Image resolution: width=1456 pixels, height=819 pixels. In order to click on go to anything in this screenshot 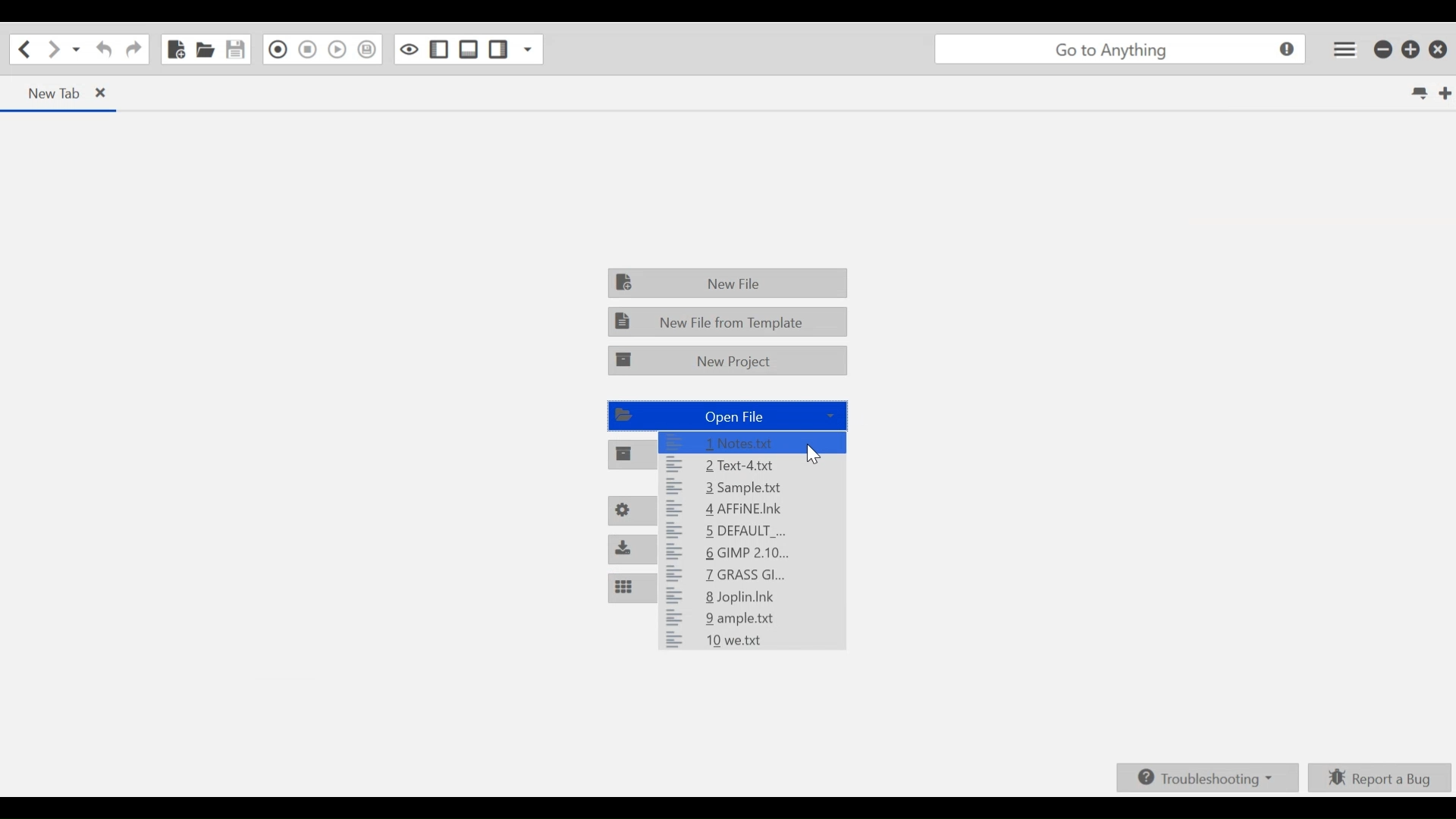, I will do `click(1120, 49)`.